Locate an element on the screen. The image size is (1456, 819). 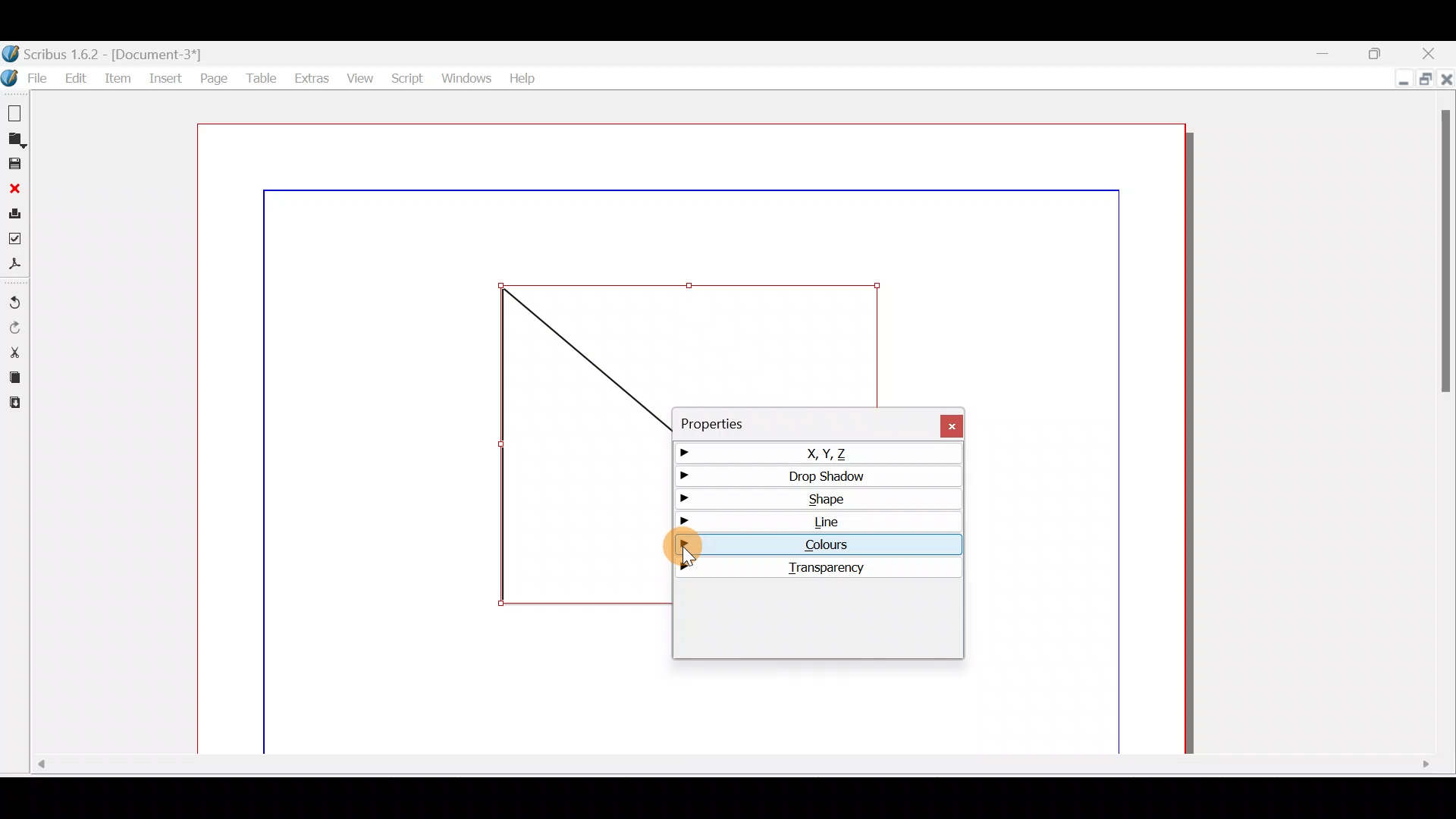
Save is located at coordinates (14, 163).